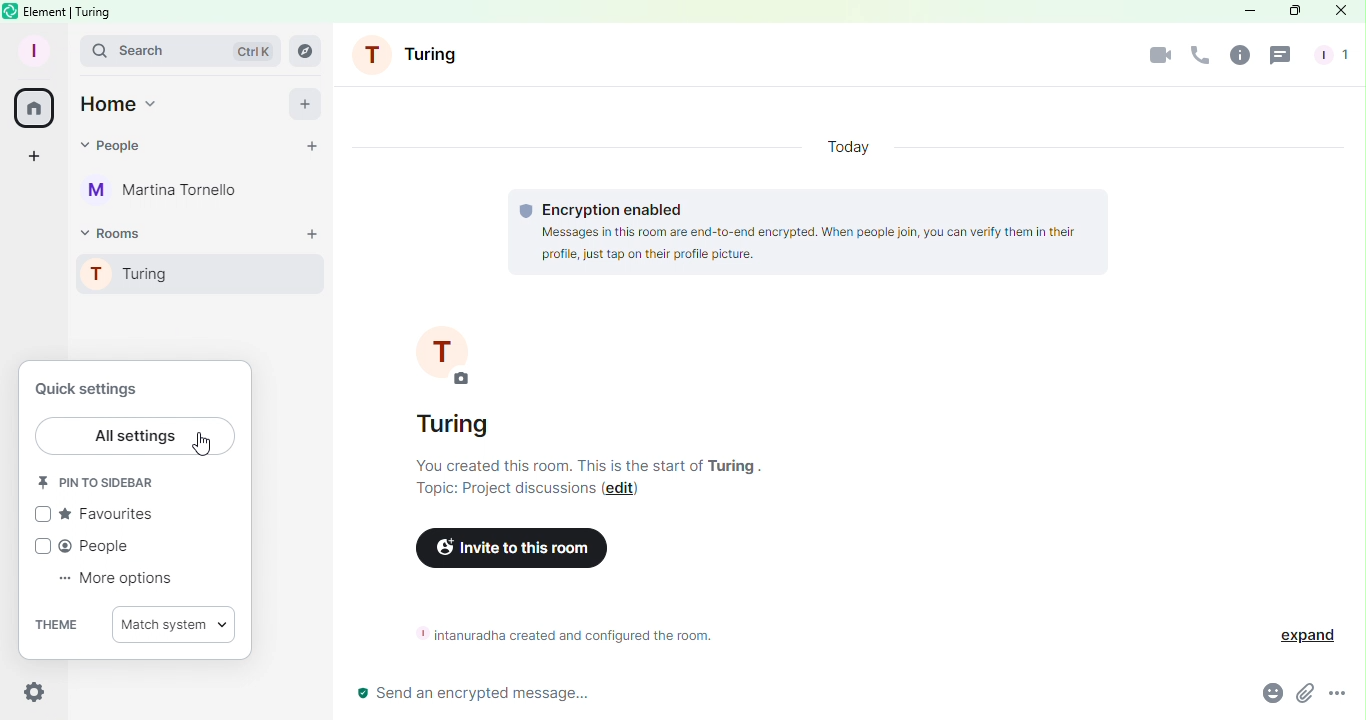 This screenshot has height=720, width=1366. What do you see at coordinates (808, 232) in the screenshot?
I see `Encryption information` at bounding box center [808, 232].